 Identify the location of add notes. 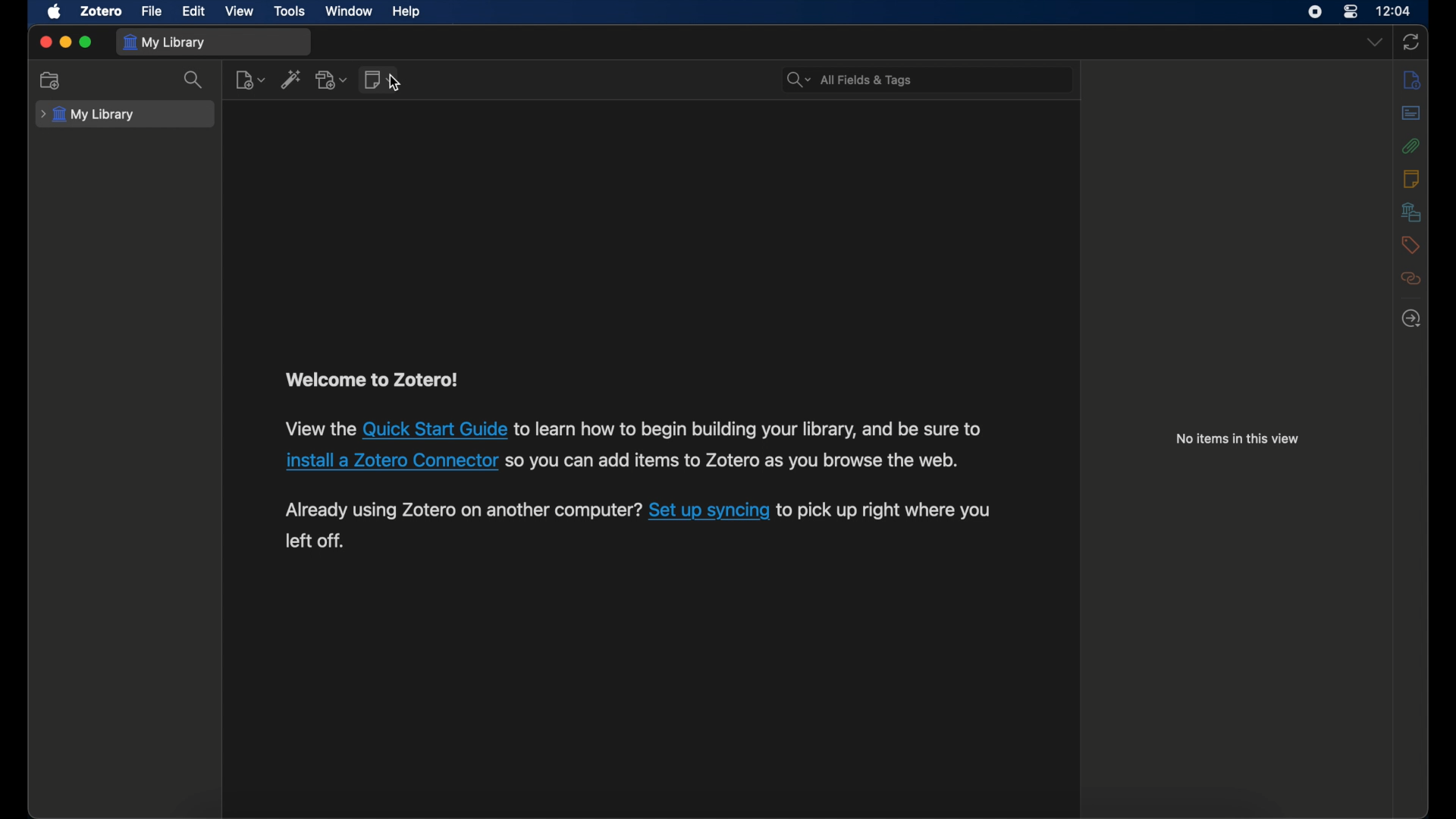
(381, 80).